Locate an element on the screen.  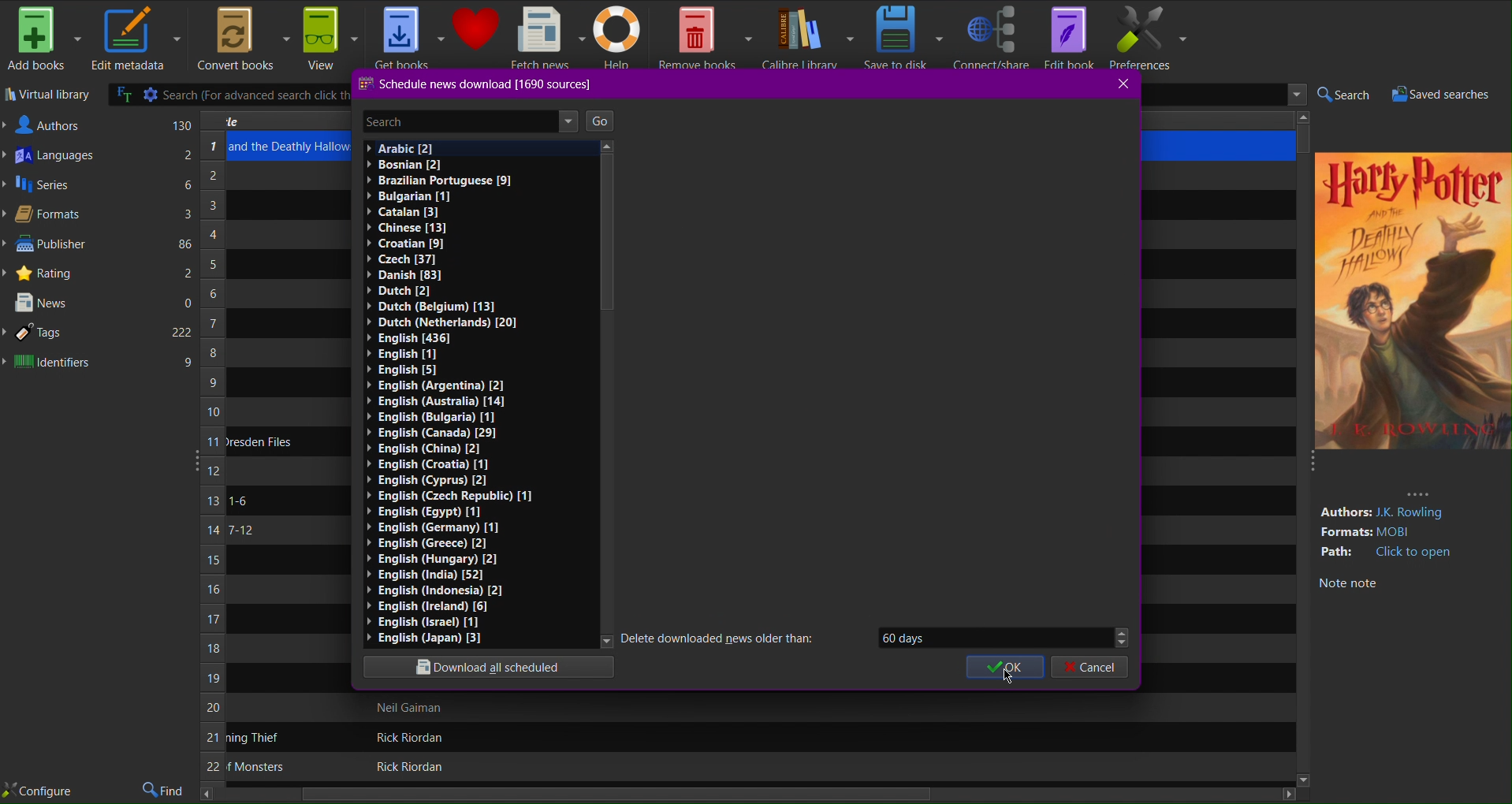
Add books is located at coordinates (43, 39).